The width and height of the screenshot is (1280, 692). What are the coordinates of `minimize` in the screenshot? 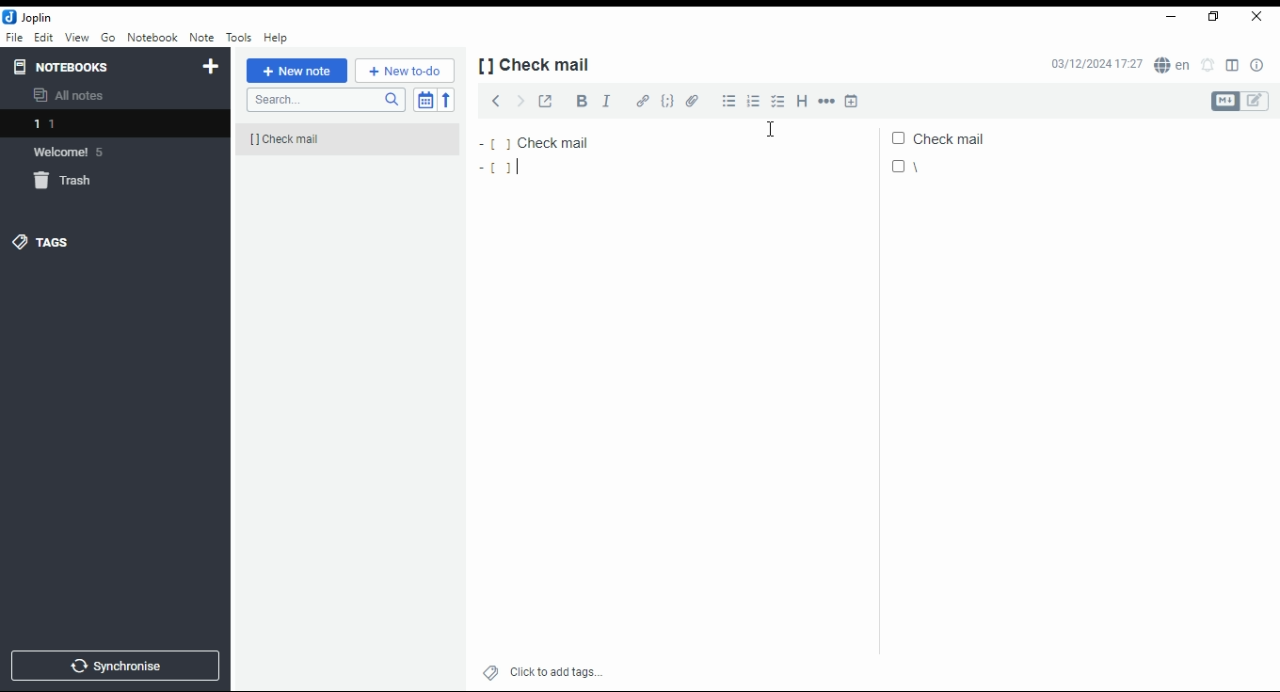 It's located at (1170, 16).